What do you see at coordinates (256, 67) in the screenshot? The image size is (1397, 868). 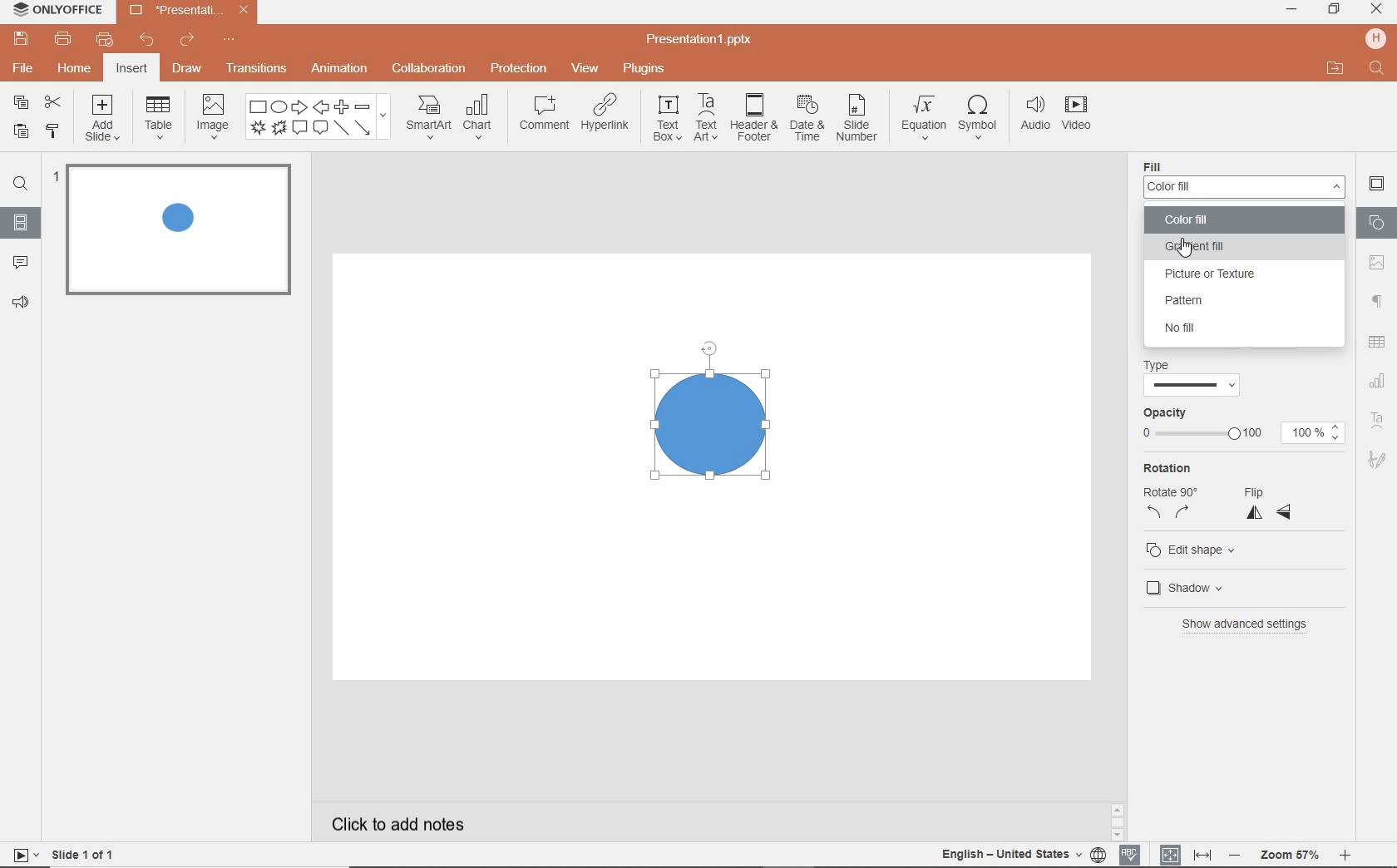 I see `transitions` at bounding box center [256, 67].